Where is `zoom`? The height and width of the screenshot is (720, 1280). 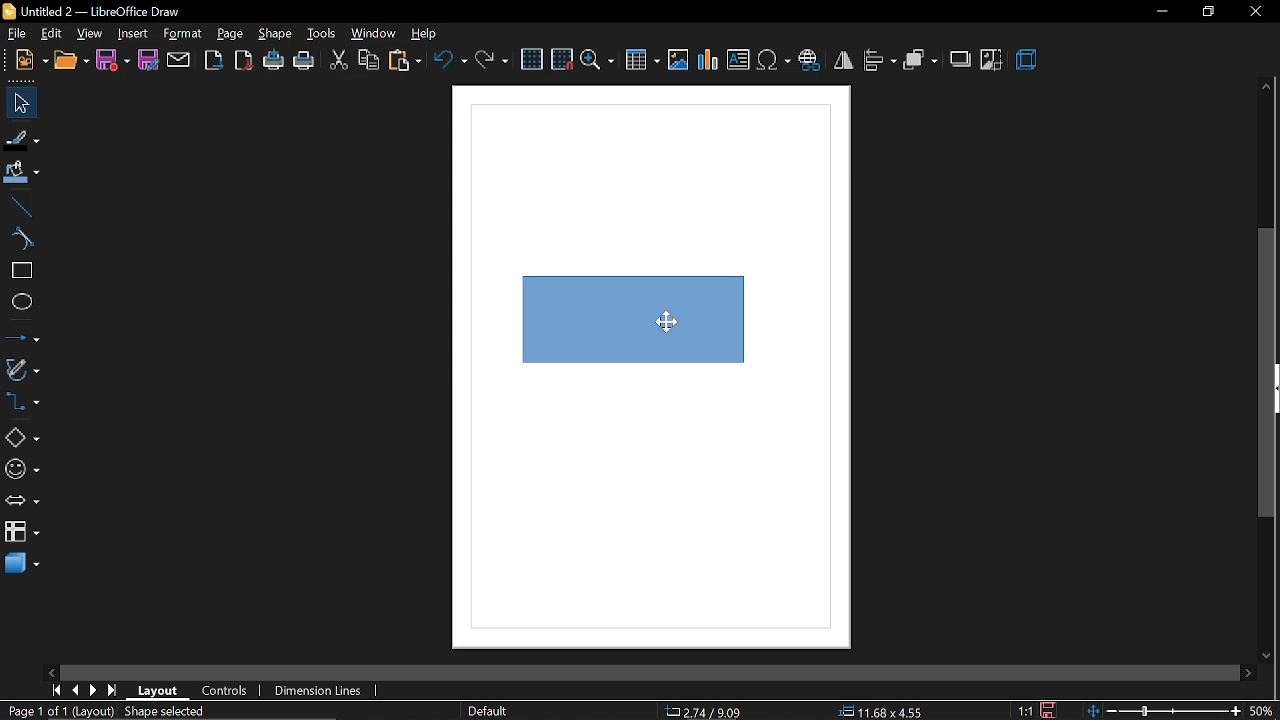 zoom is located at coordinates (599, 62).